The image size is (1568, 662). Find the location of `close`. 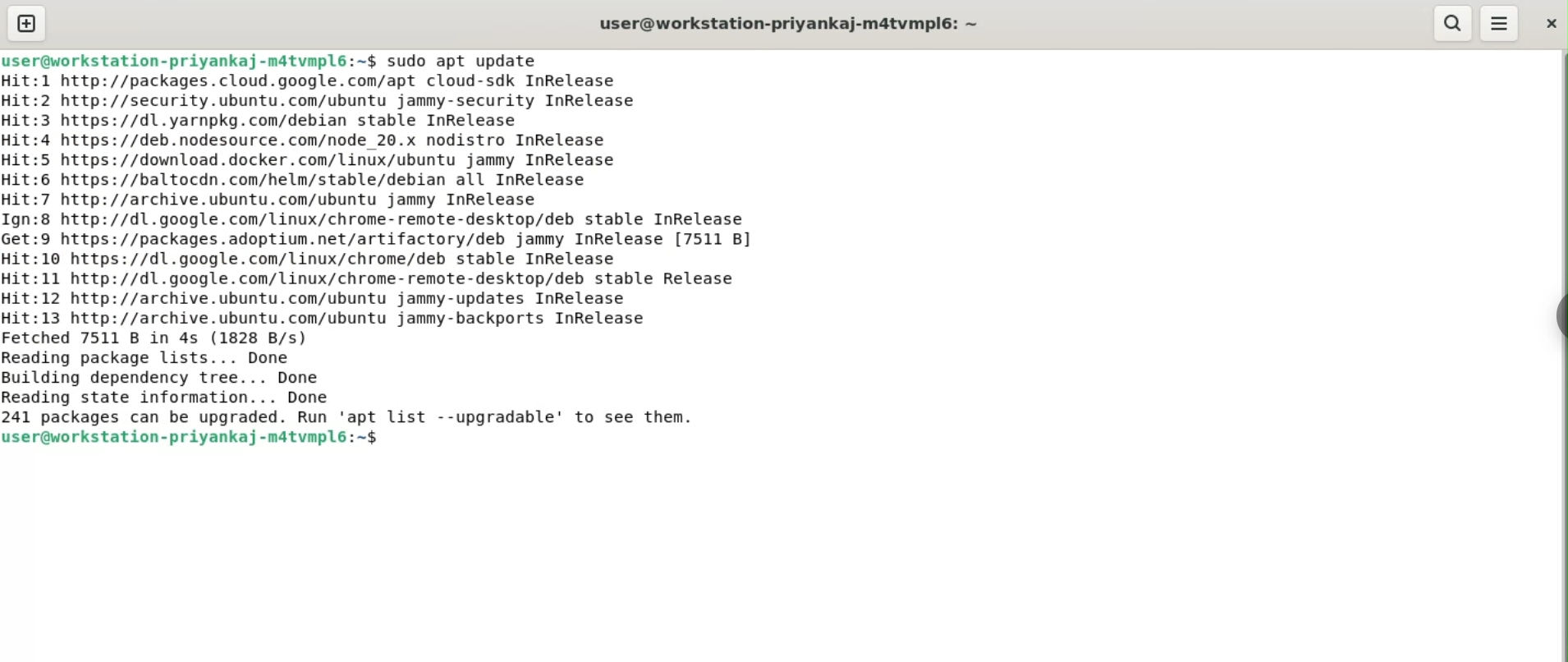

close is located at coordinates (1550, 22).